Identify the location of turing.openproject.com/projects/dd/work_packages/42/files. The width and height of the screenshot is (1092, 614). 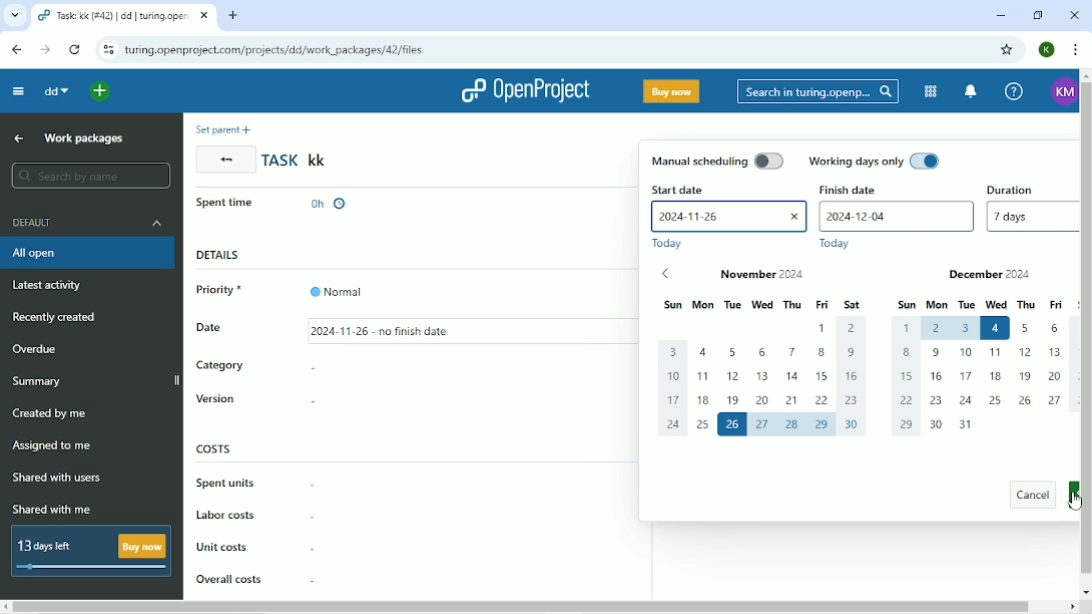
(277, 50).